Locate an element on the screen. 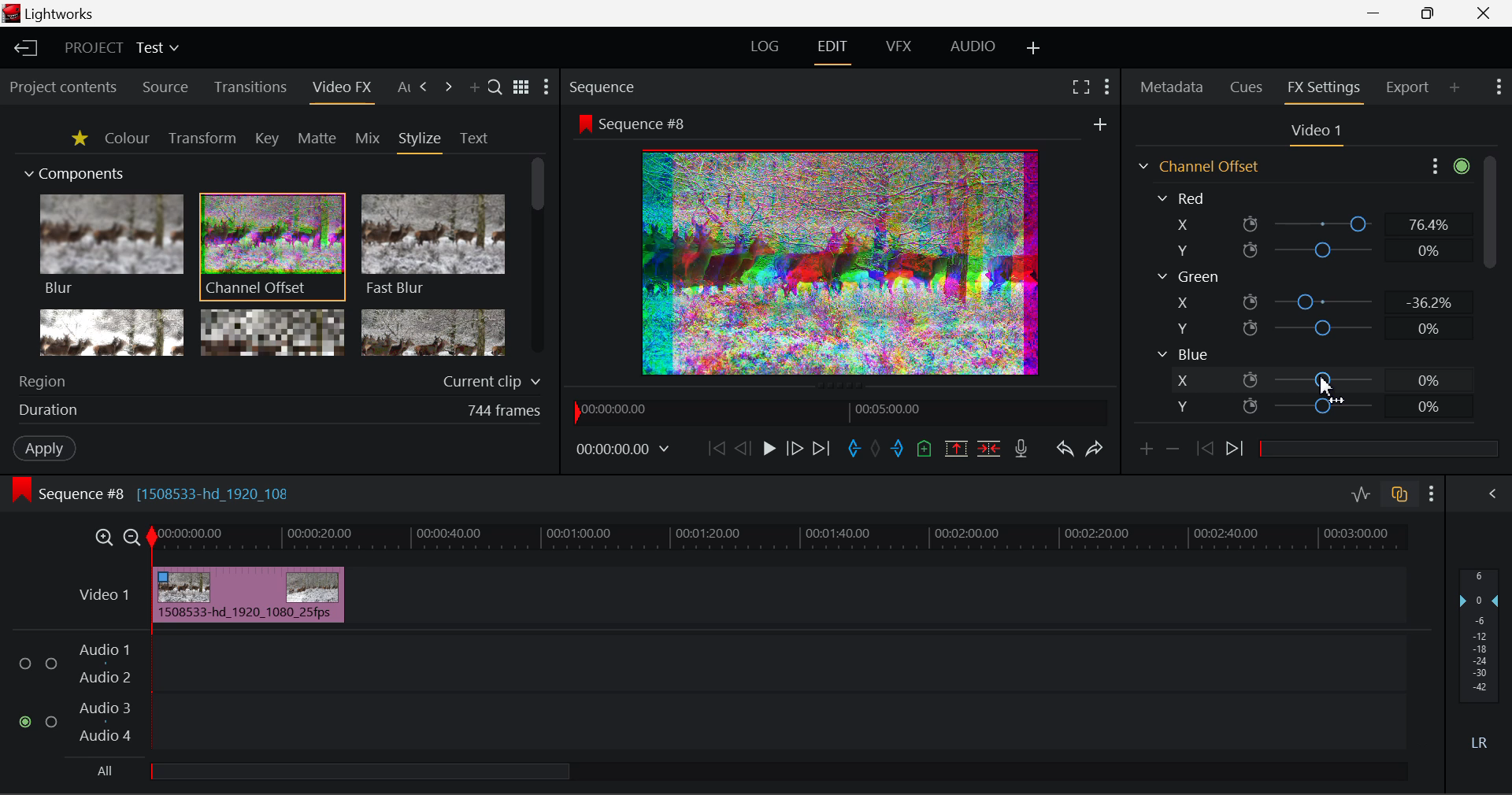 The width and height of the screenshot is (1512, 795). Scroll Bar is located at coordinates (1489, 294).